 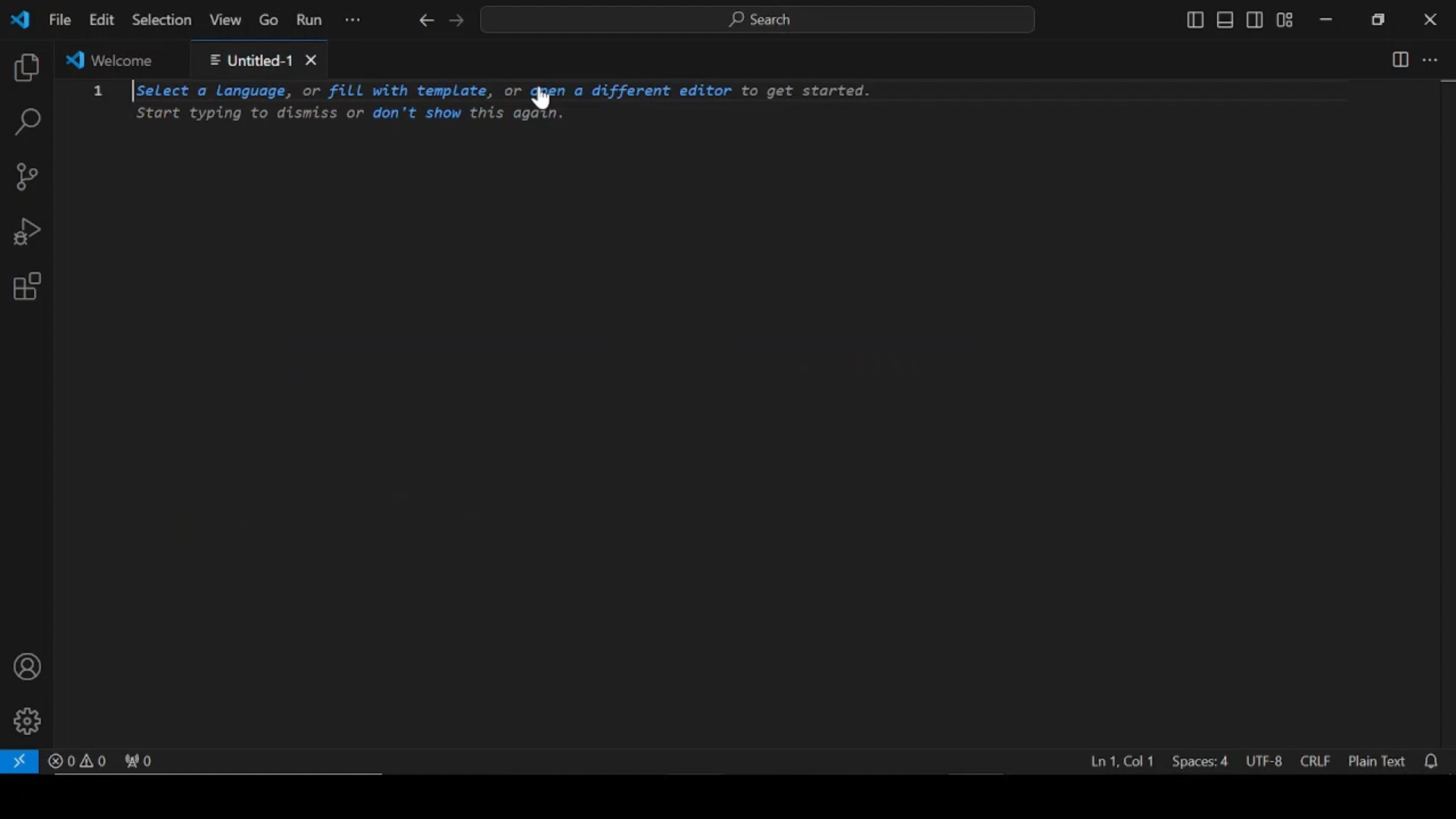 I want to click on file, so click(x=58, y=19).